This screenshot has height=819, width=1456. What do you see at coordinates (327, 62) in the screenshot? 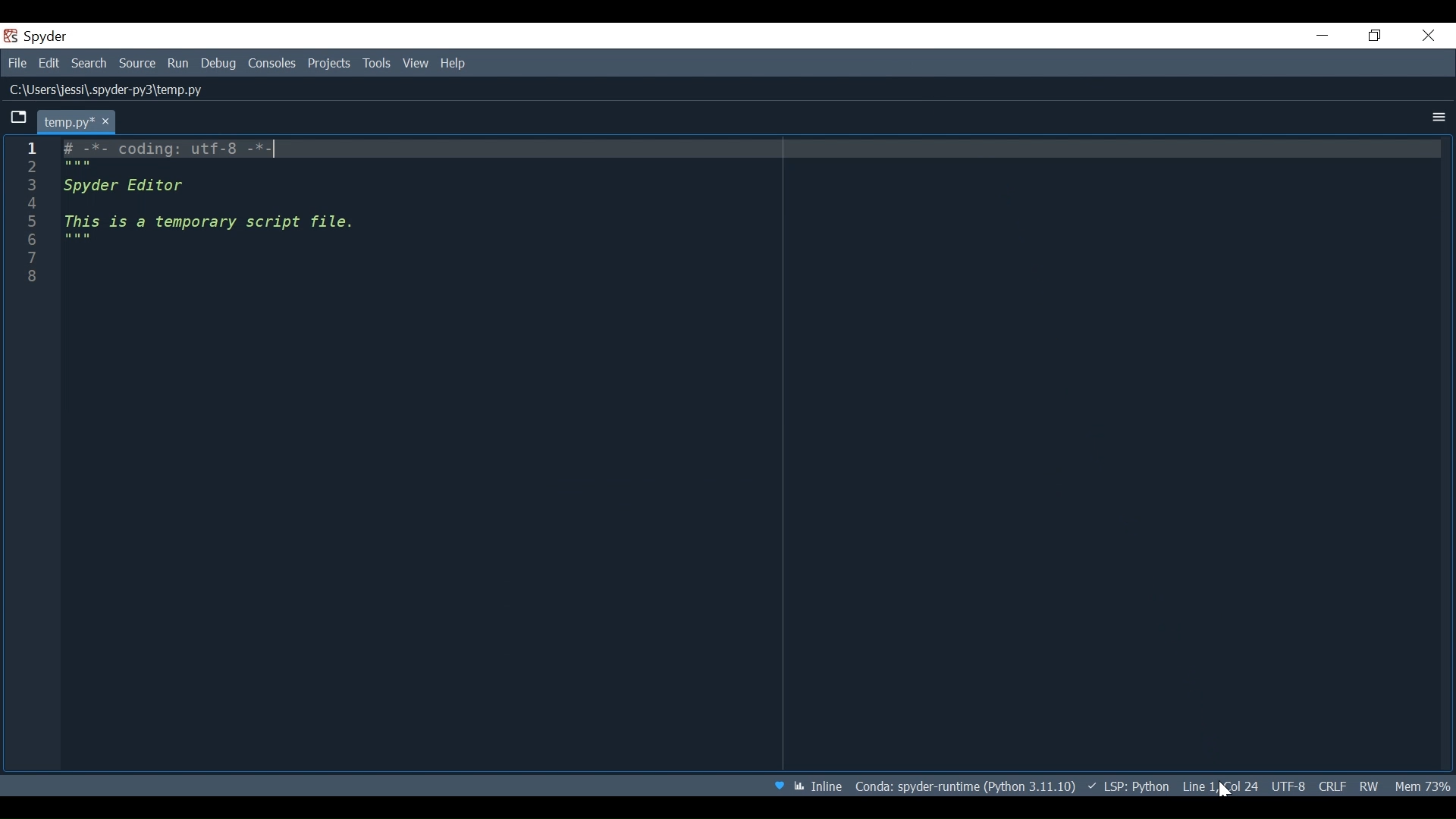
I see `Projects` at bounding box center [327, 62].